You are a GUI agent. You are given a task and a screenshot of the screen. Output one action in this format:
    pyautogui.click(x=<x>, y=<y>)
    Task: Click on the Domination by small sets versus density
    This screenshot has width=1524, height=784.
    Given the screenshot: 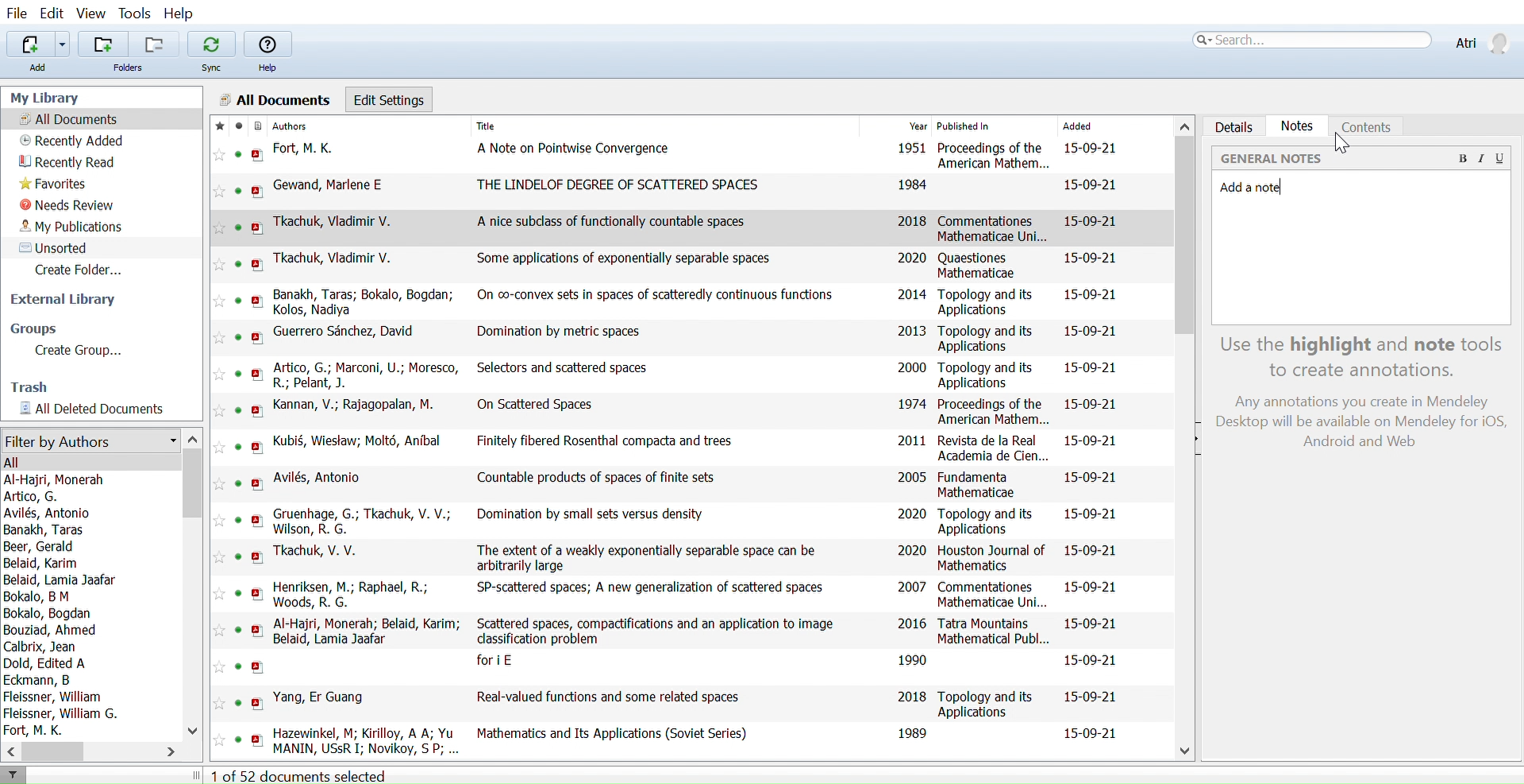 What is the action you would take?
    pyautogui.click(x=592, y=515)
    